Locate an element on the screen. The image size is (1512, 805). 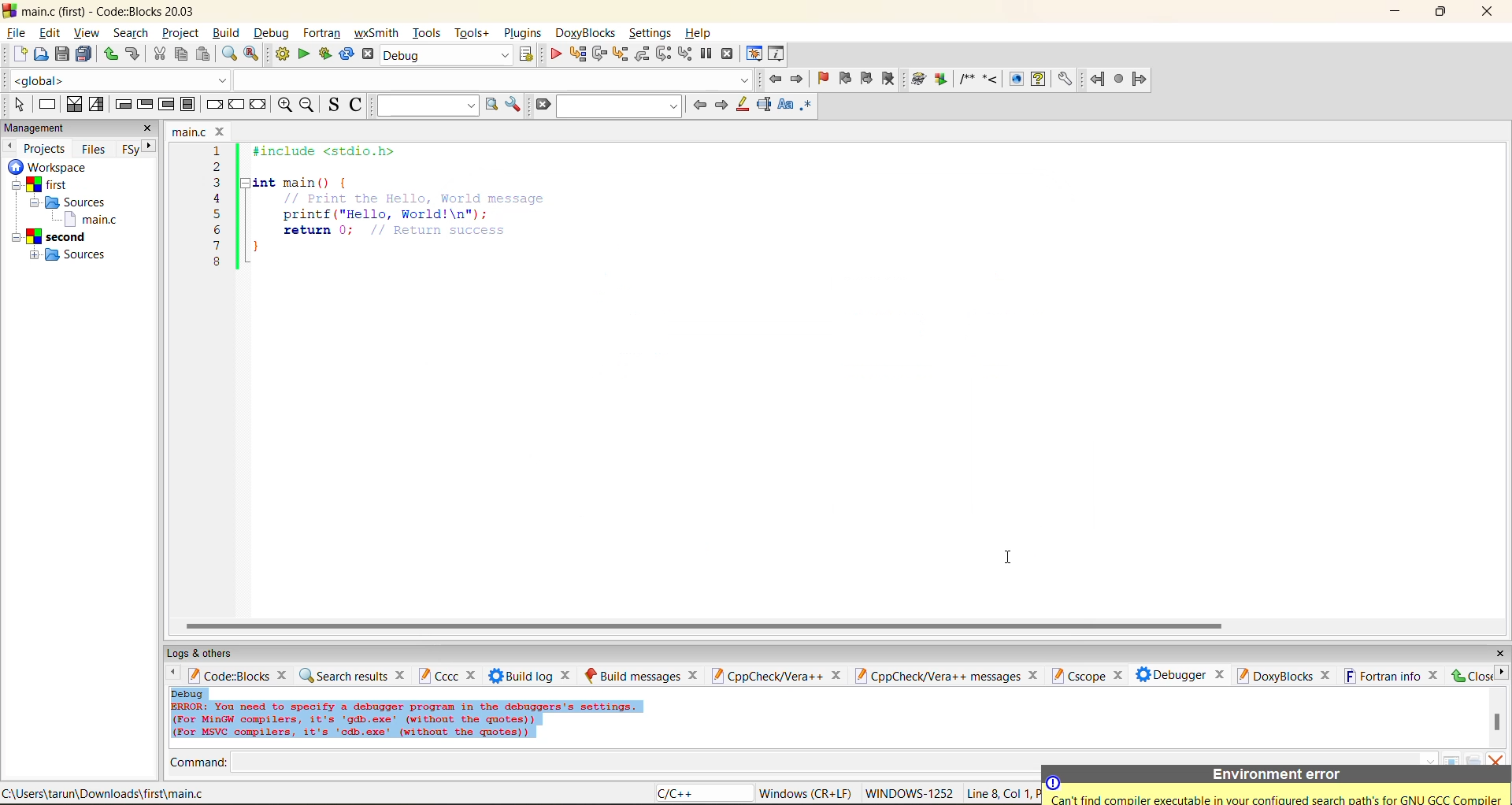
close is located at coordinates (473, 676).